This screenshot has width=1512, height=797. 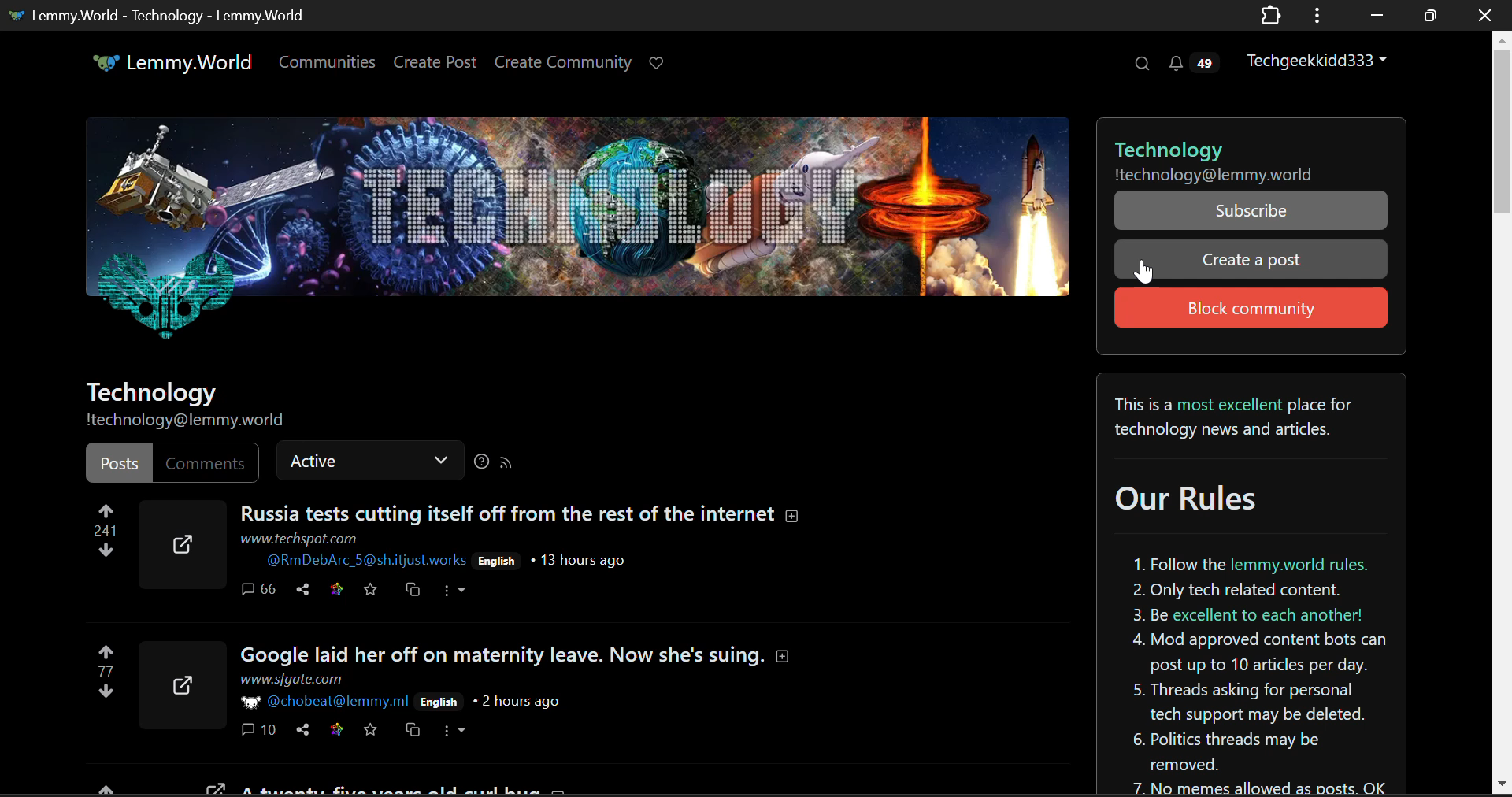 What do you see at coordinates (457, 731) in the screenshot?
I see `More Options` at bounding box center [457, 731].